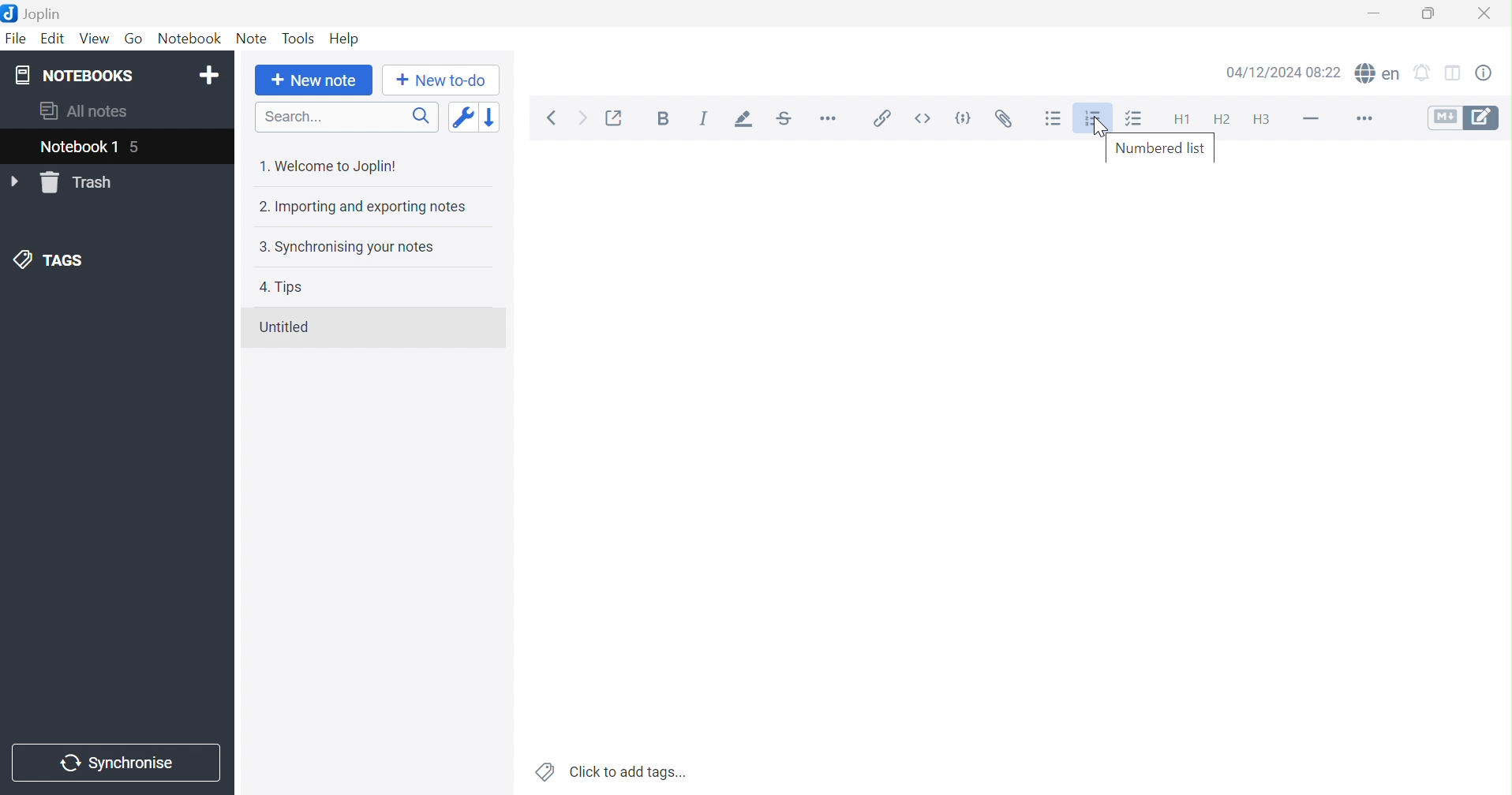 This screenshot has height=795, width=1512. What do you see at coordinates (1375, 13) in the screenshot?
I see `Minimize` at bounding box center [1375, 13].